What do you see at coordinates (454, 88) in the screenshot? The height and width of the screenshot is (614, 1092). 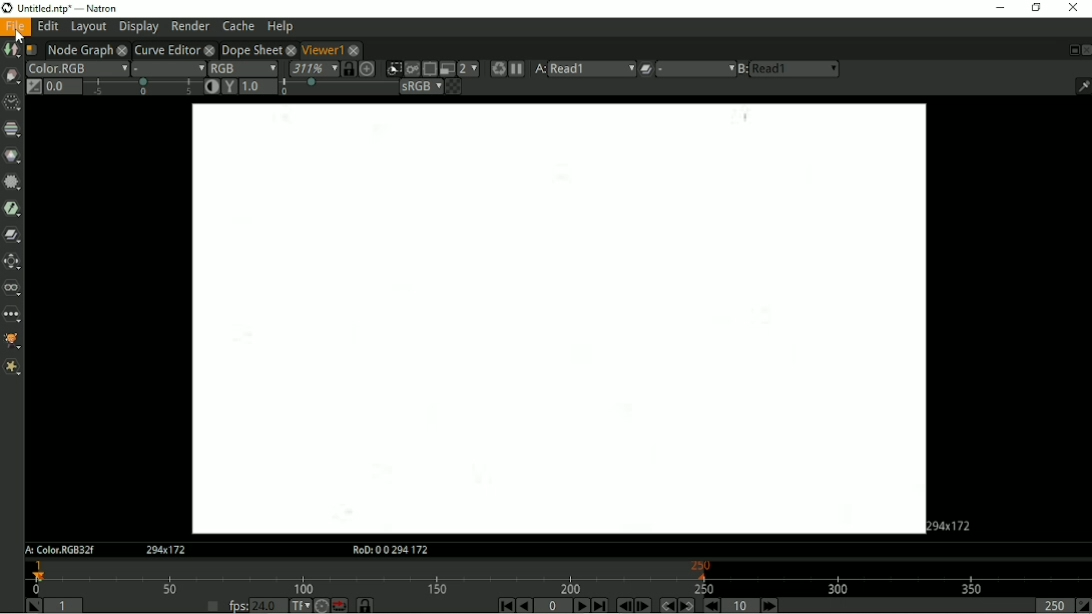 I see `Checkerboard` at bounding box center [454, 88].